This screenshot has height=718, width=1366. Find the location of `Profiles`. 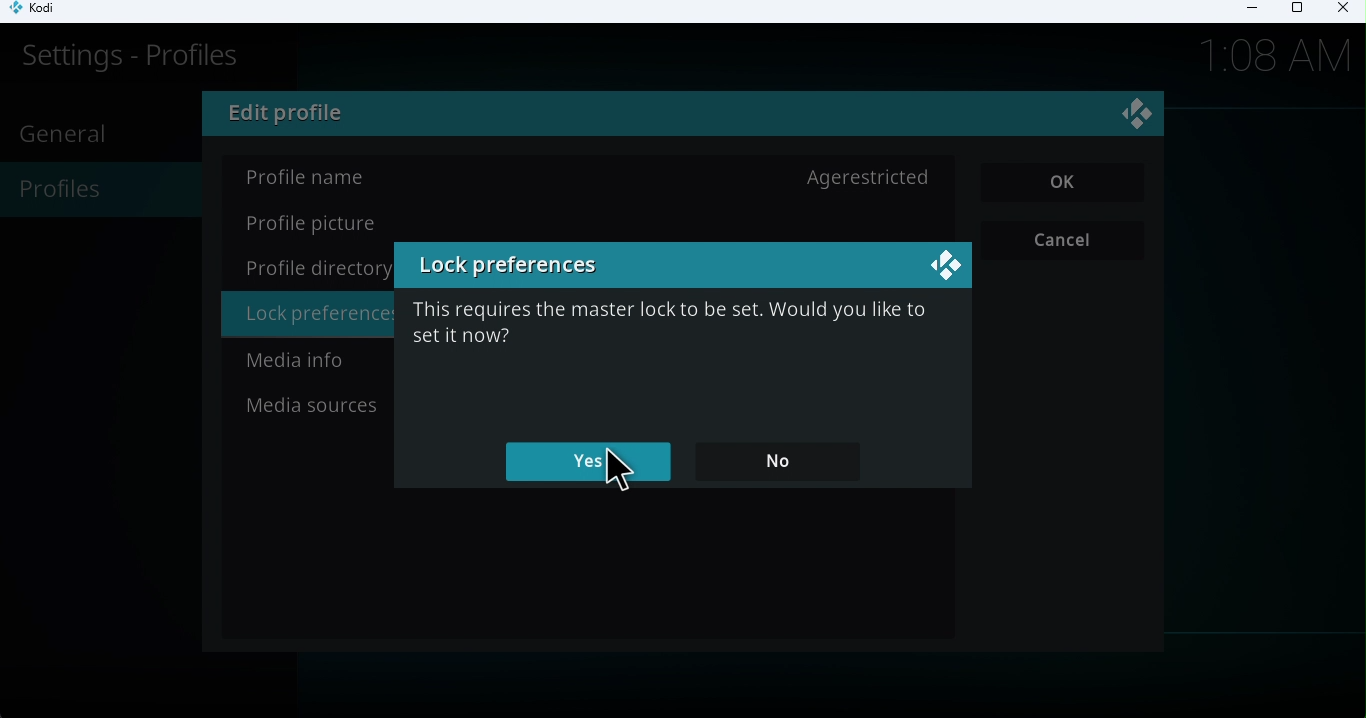

Profiles is located at coordinates (95, 192).